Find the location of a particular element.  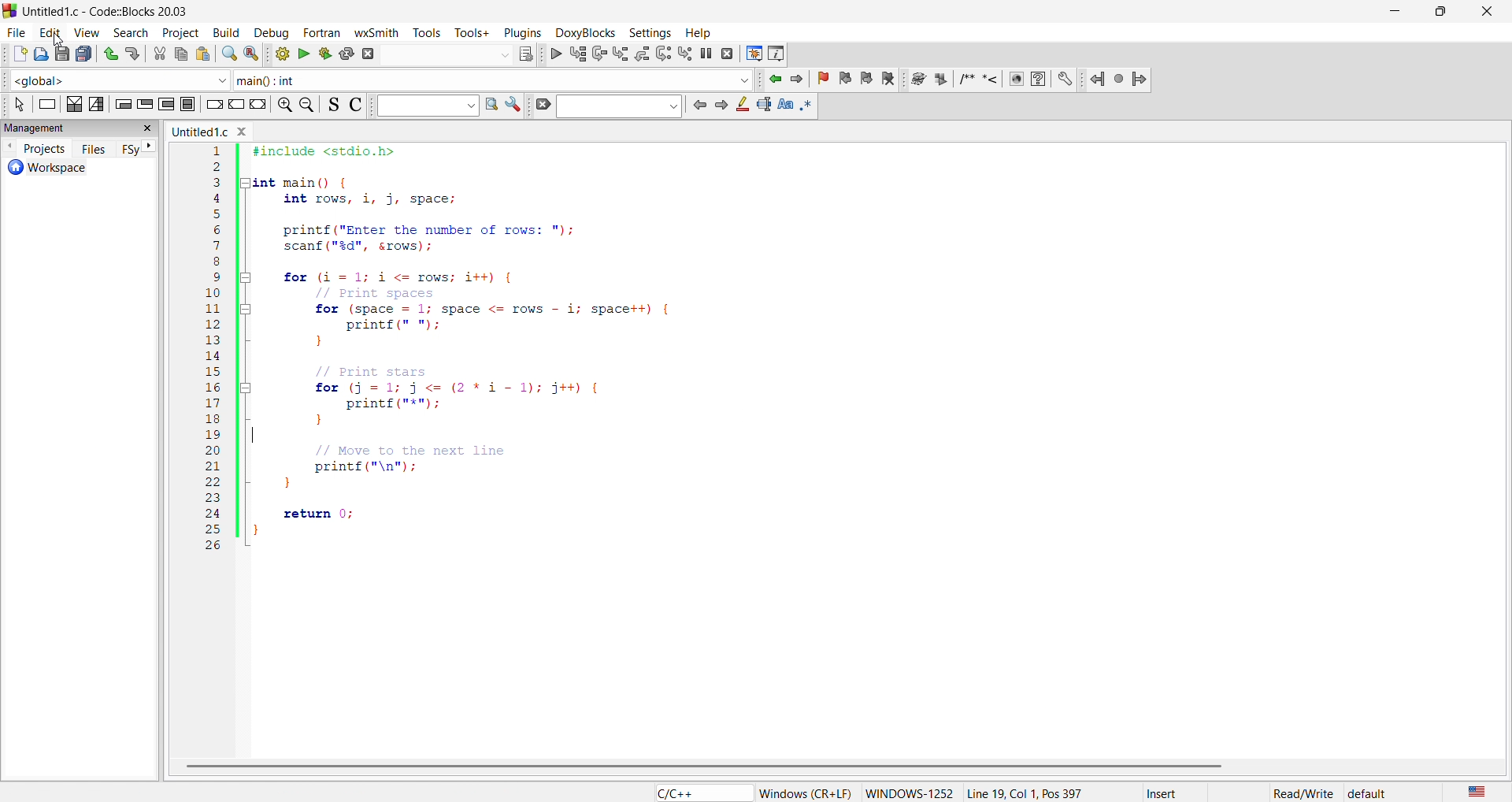

build is located at coordinates (278, 54).